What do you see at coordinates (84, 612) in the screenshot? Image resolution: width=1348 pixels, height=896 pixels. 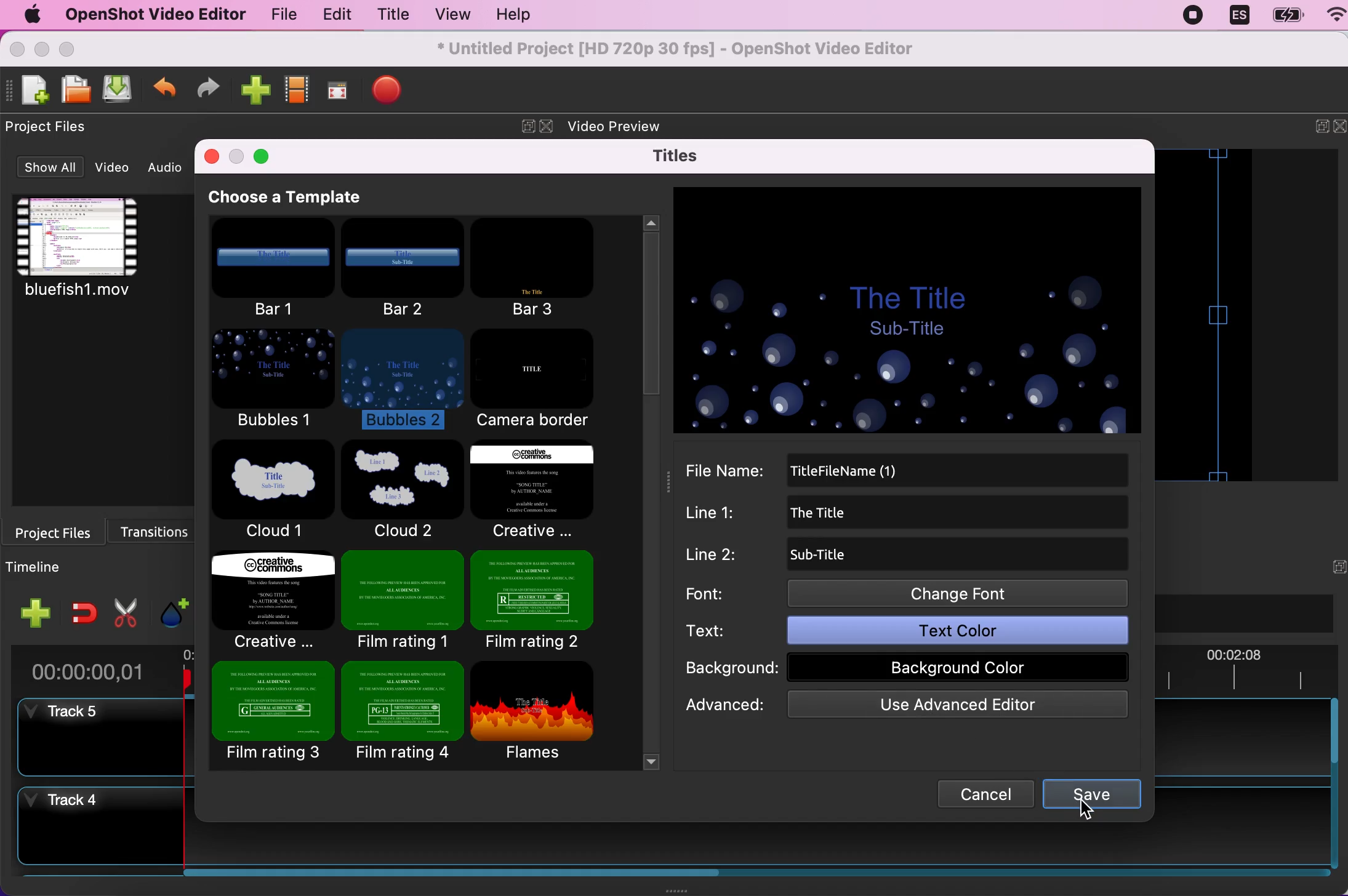 I see `enable snapping` at bounding box center [84, 612].